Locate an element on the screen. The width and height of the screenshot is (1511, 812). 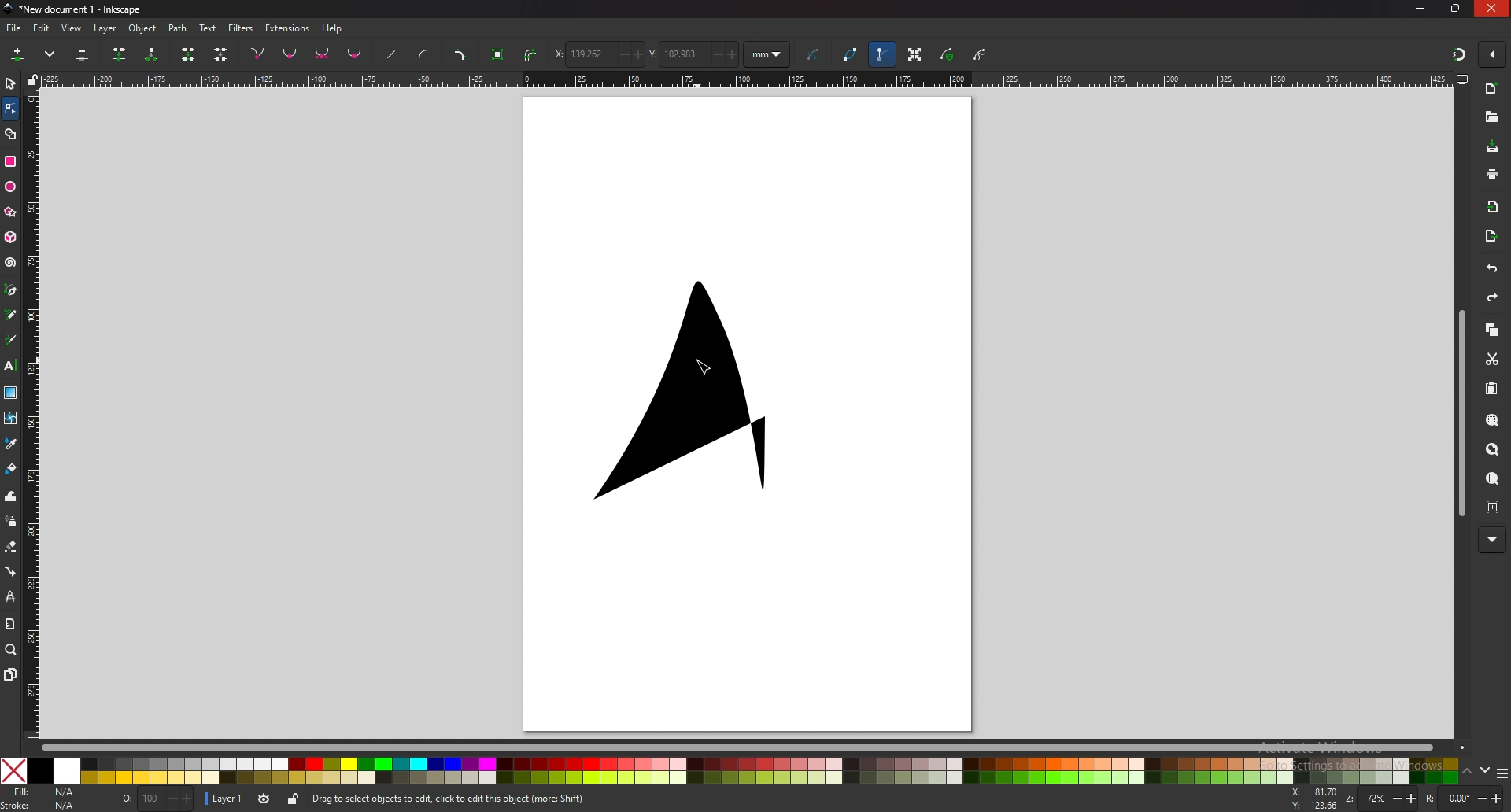
path is located at coordinates (179, 29).